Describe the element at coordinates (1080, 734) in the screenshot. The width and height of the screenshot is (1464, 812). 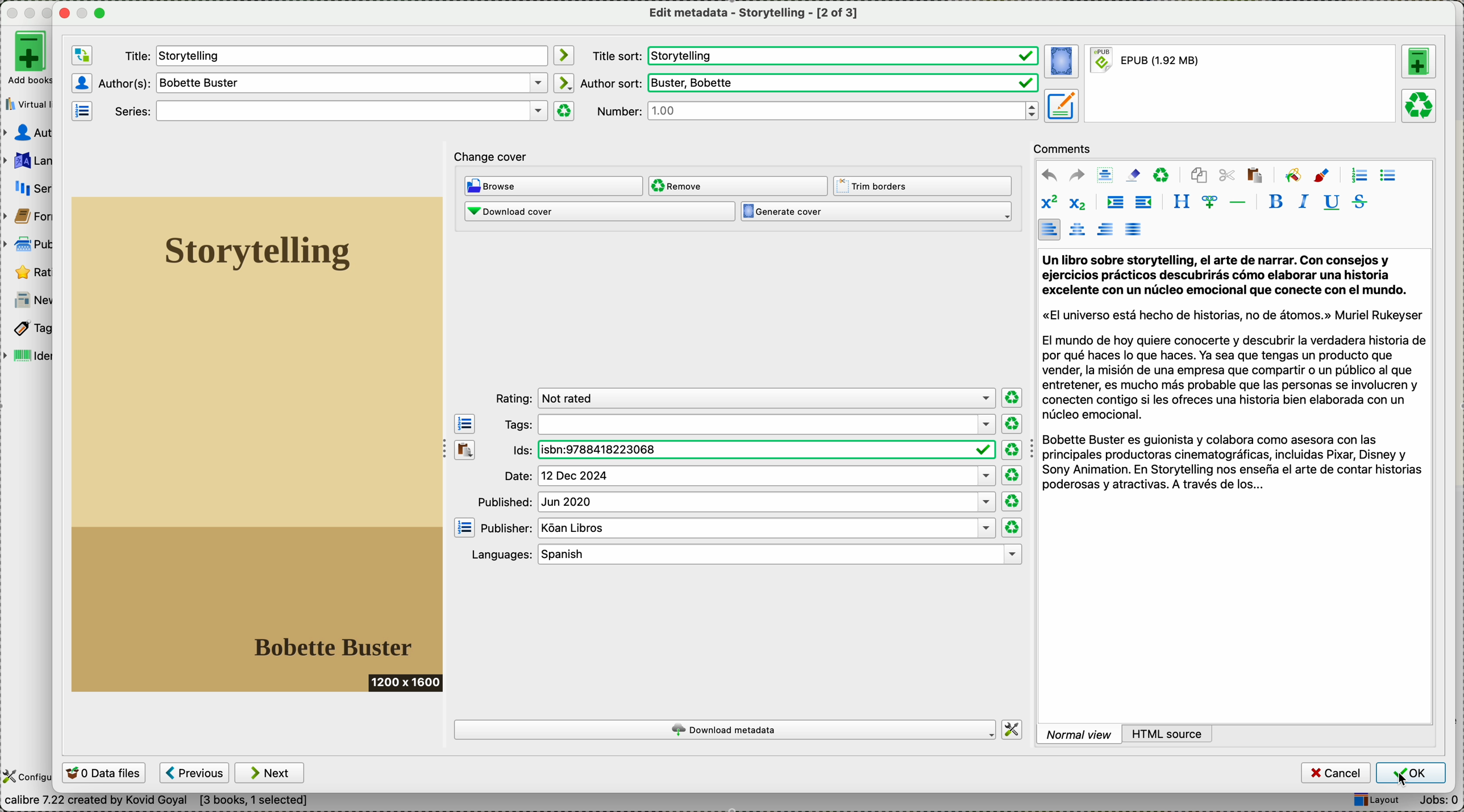
I see `normal view` at that location.